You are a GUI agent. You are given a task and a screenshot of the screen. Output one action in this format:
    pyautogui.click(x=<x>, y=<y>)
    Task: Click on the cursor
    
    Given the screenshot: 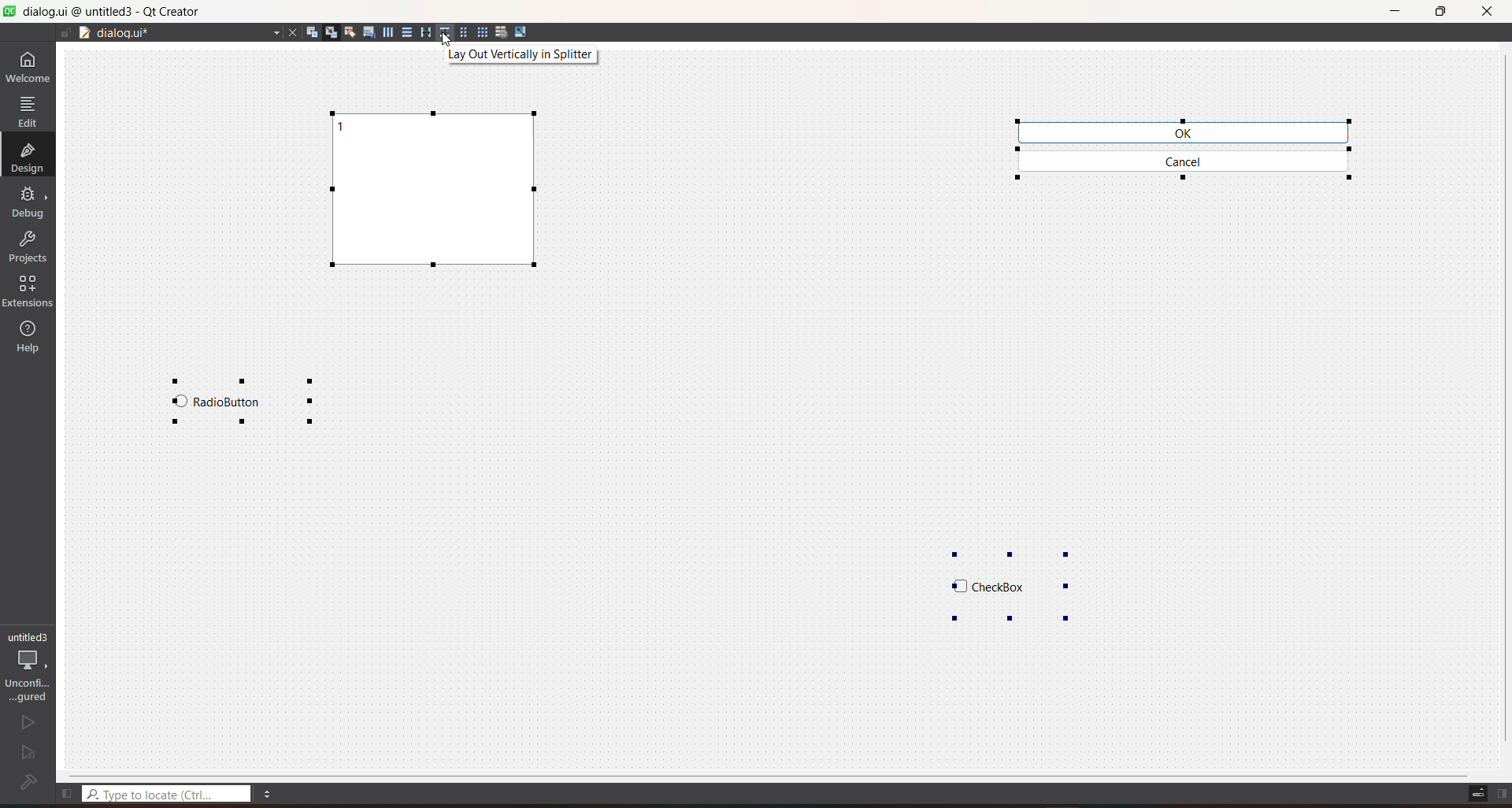 What is the action you would take?
    pyautogui.click(x=445, y=46)
    